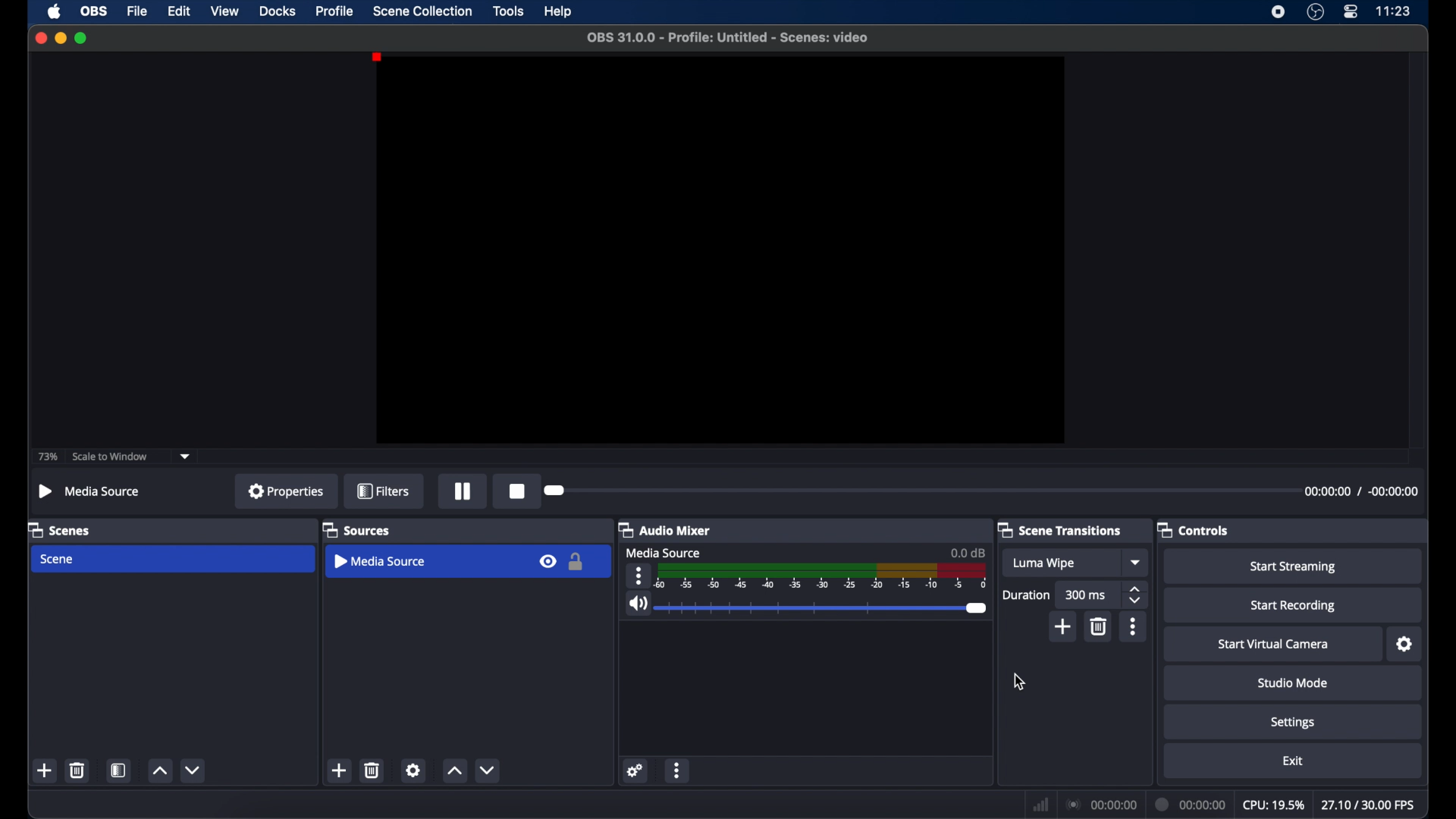  I want to click on sources, so click(356, 529).